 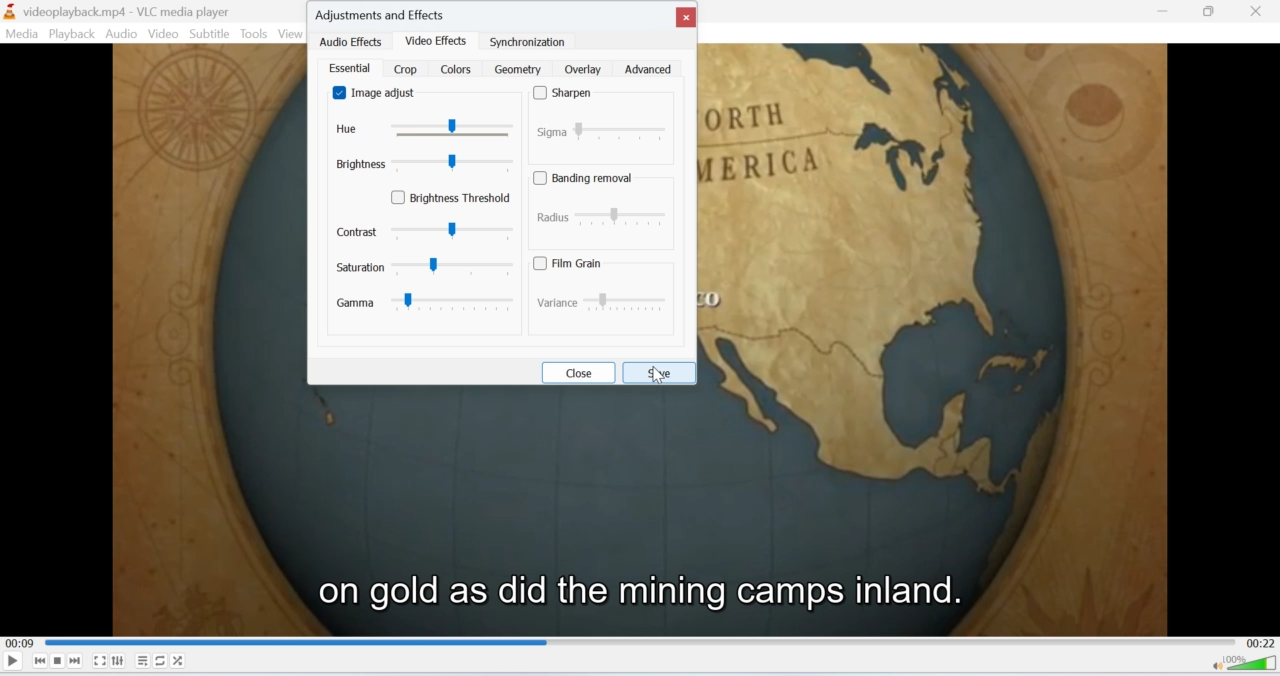 What do you see at coordinates (427, 304) in the screenshot?
I see `Gamma` at bounding box center [427, 304].